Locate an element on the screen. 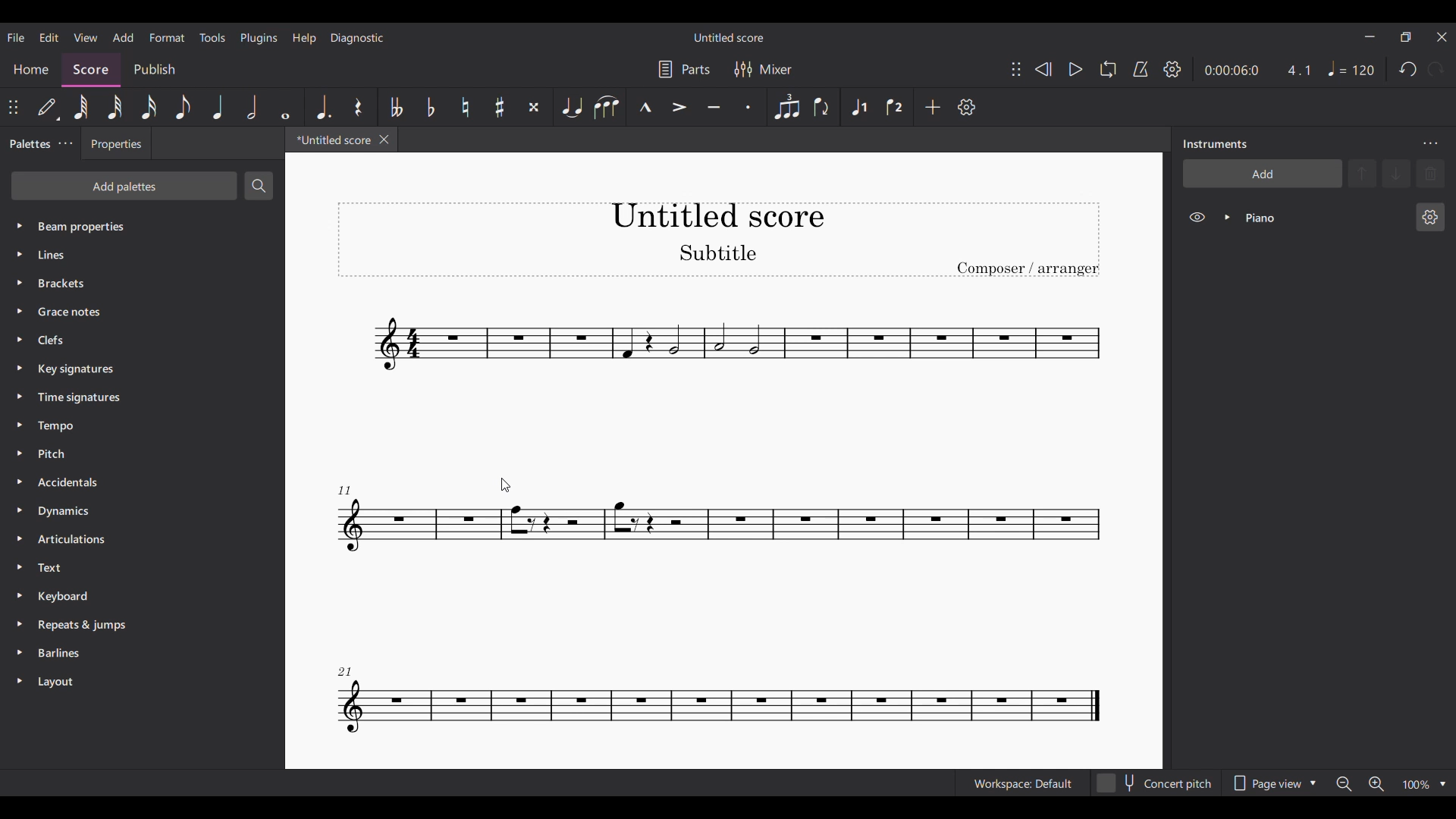 This screenshot has height=819, width=1456. Voice 2 is located at coordinates (894, 107).